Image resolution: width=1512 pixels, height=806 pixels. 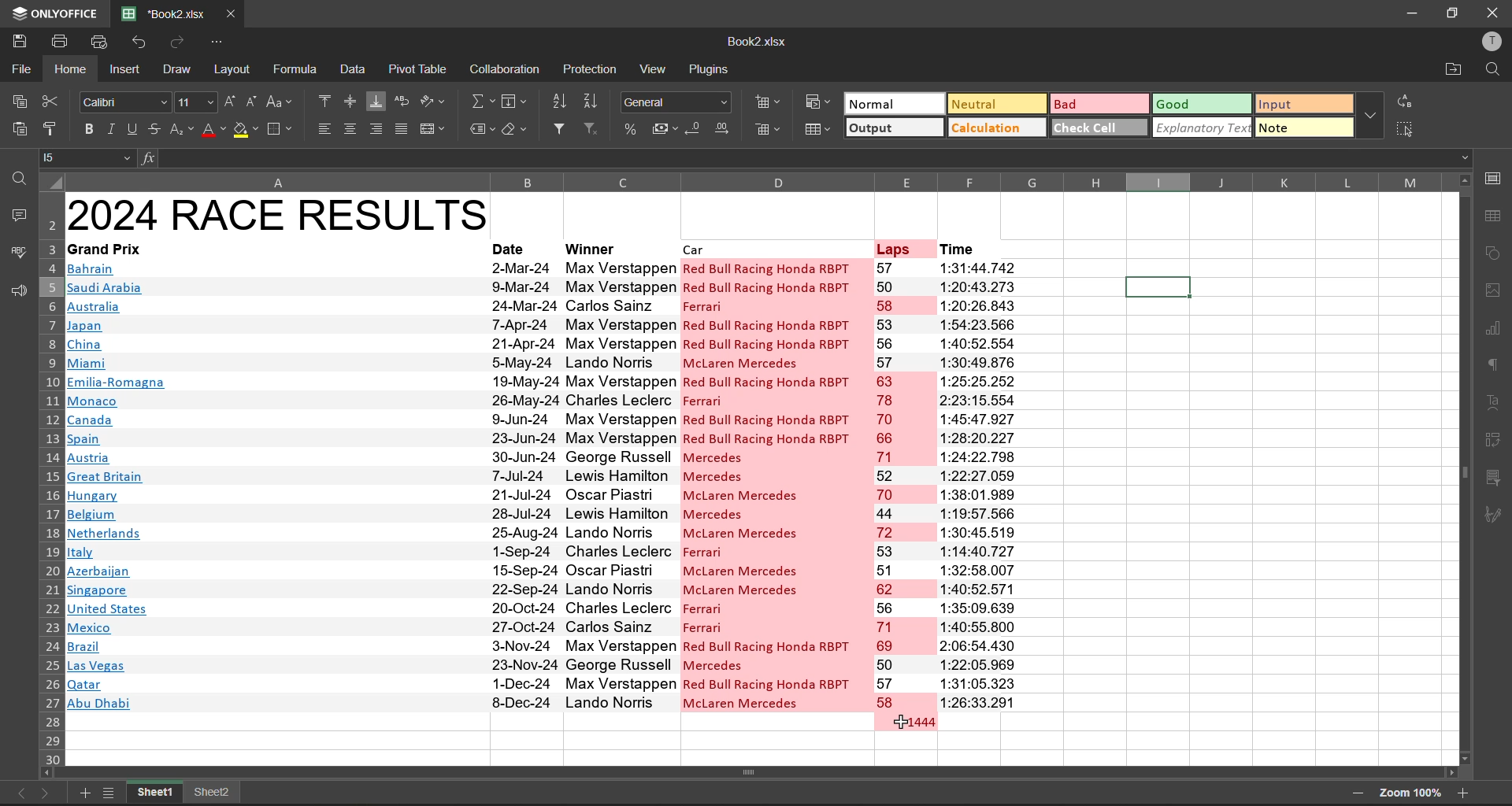 I want to click on scrollbar, so click(x=755, y=771).